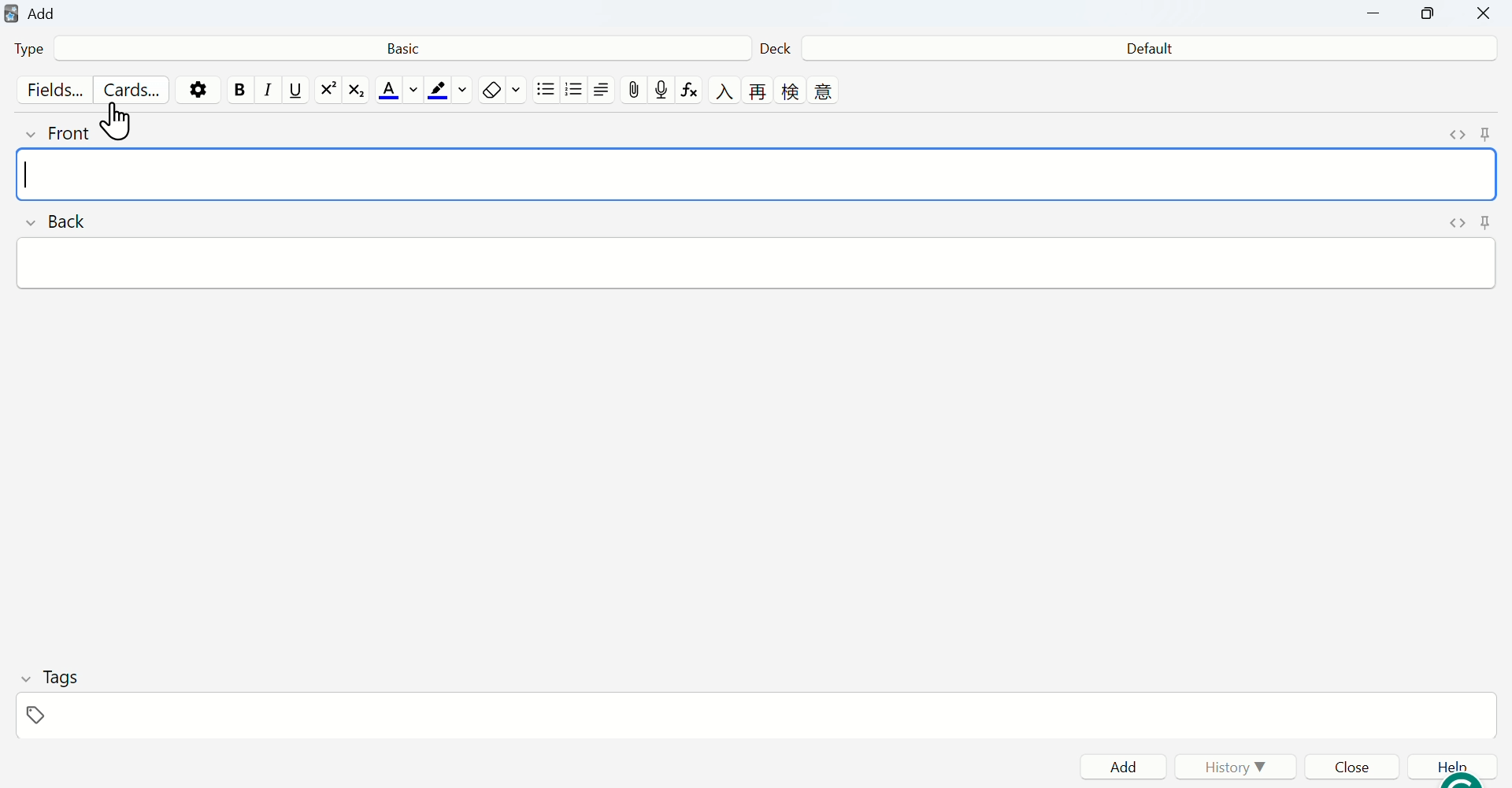  What do you see at coordinates (774, 50) in the screenshot?
I see `Deck` at bounding box center [774, 50].